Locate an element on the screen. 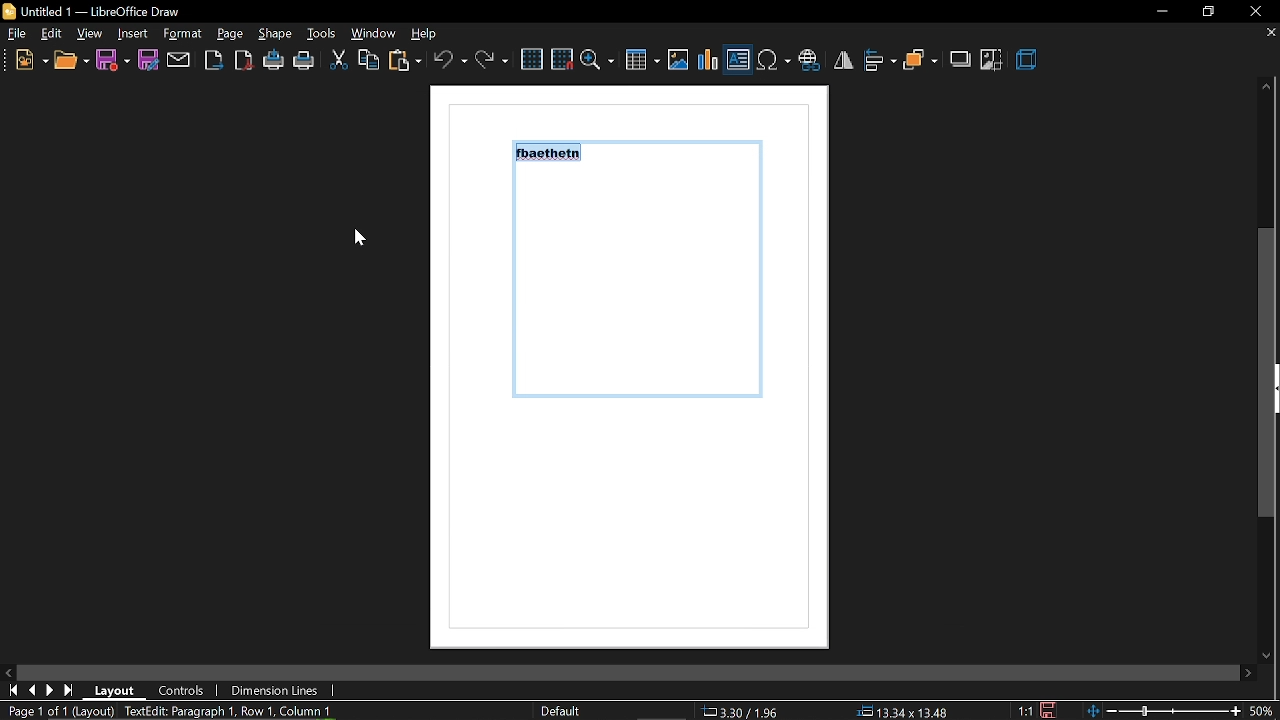 Image resolution: width=1280 pixels, height=720 pixels. insert chart is located at coordinates (709, 61).